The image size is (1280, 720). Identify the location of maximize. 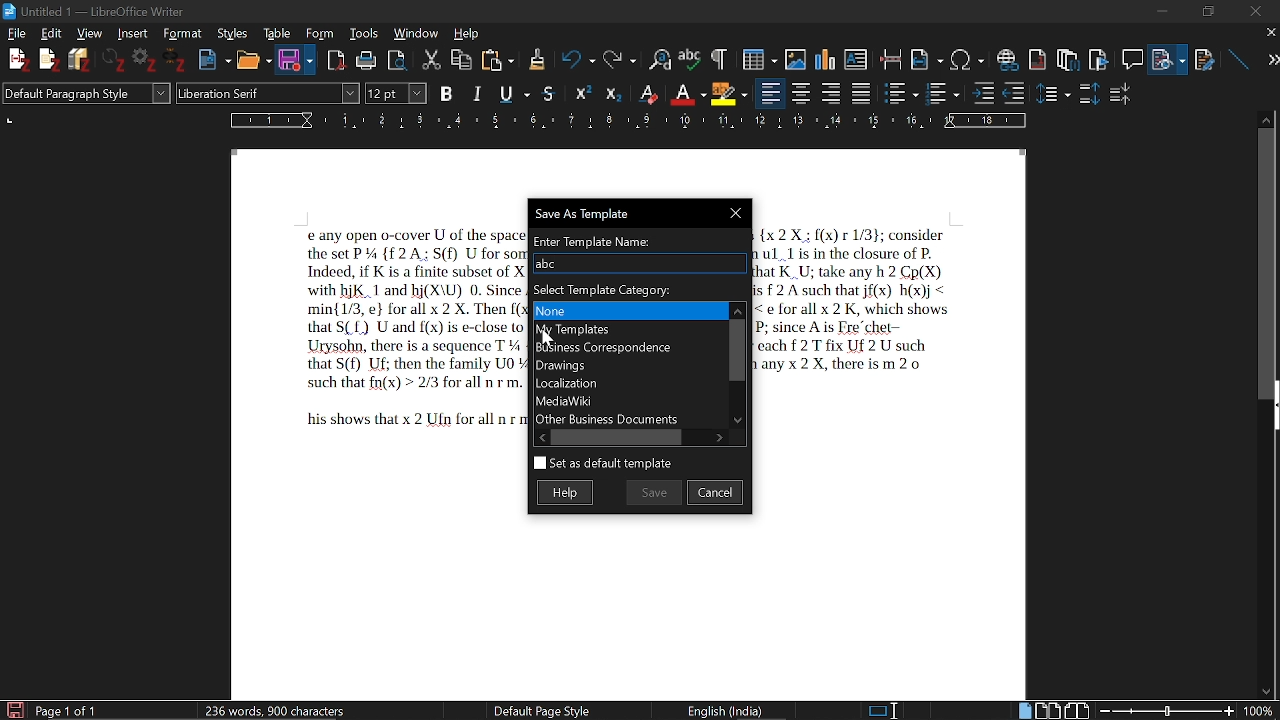
(1207, 10).